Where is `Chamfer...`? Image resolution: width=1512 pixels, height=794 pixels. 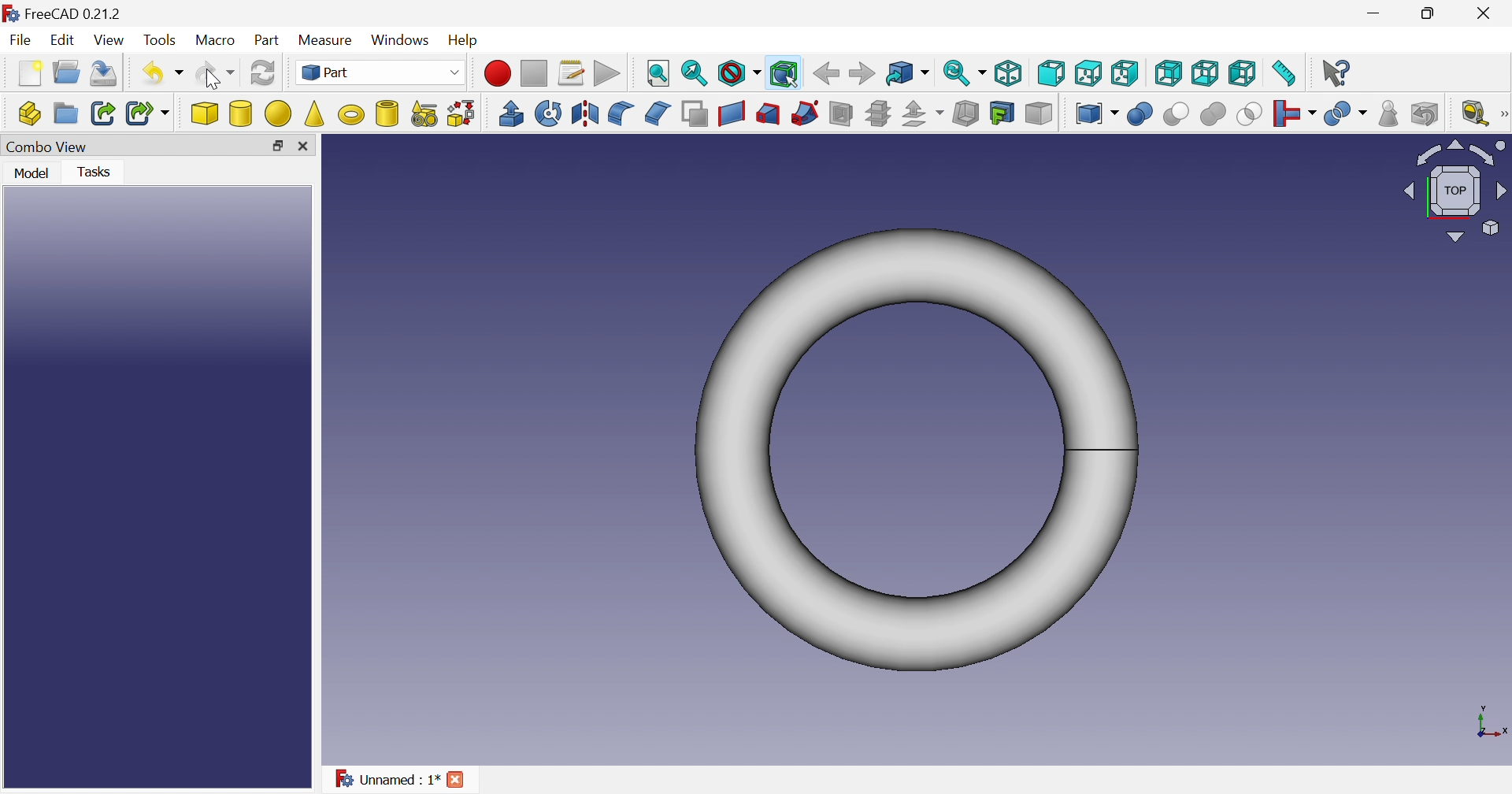
Chamfer... is located at coordinates (658, 113).